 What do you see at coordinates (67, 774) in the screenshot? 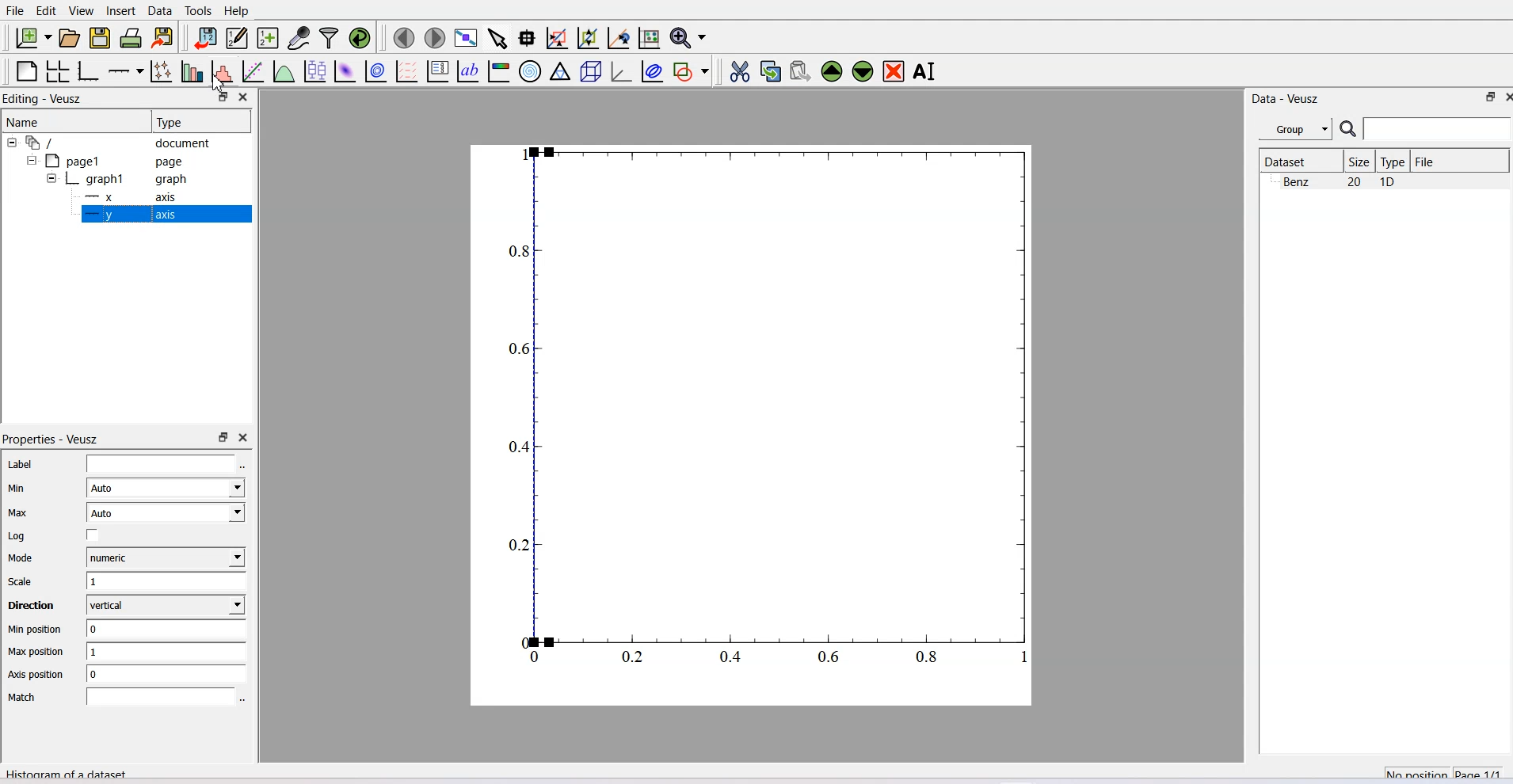
I see `Histogram of a dataset` at bounding box center [67, 774].